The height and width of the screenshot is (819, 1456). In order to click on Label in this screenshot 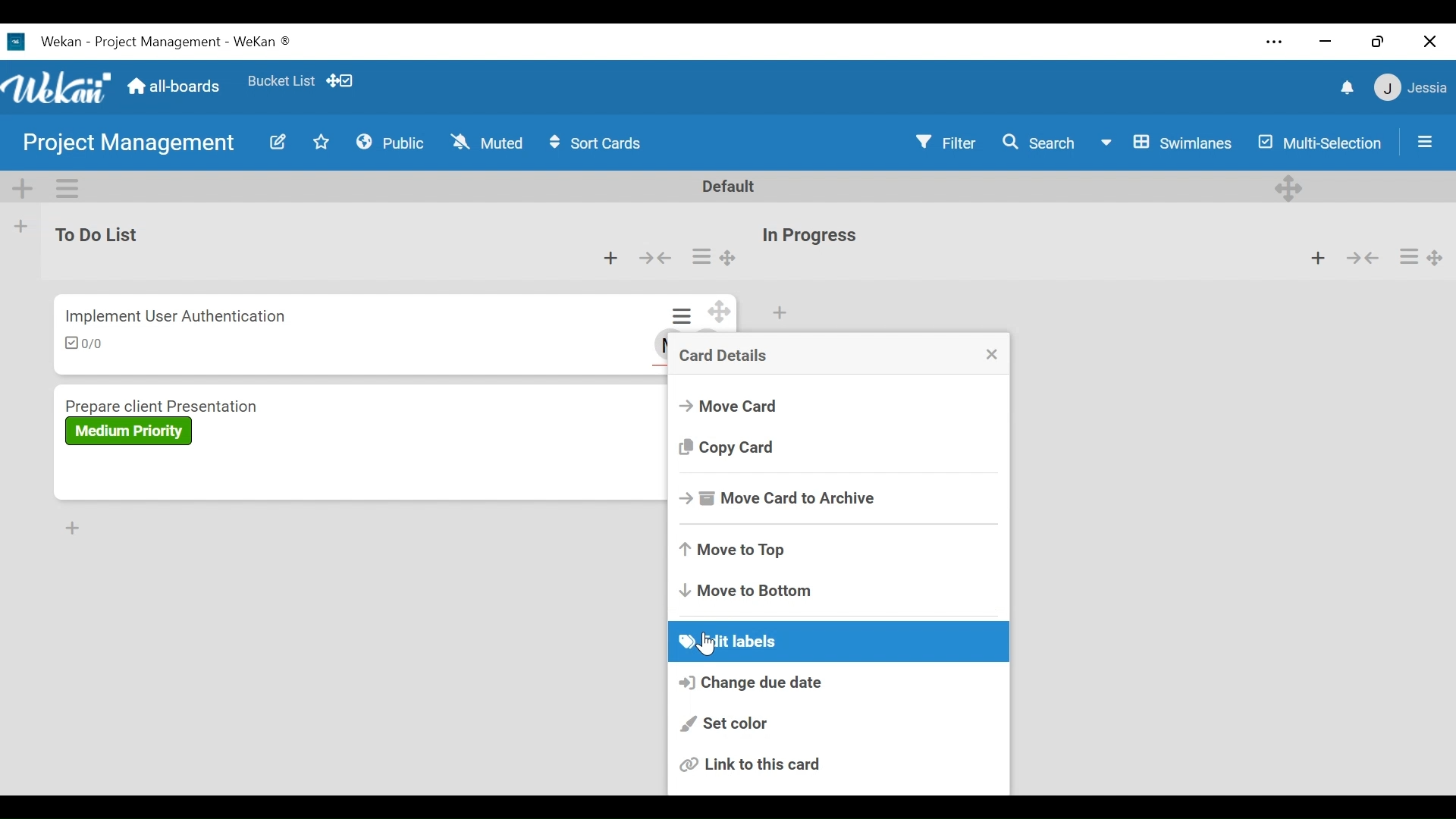, I will do `click(129, 431)`.